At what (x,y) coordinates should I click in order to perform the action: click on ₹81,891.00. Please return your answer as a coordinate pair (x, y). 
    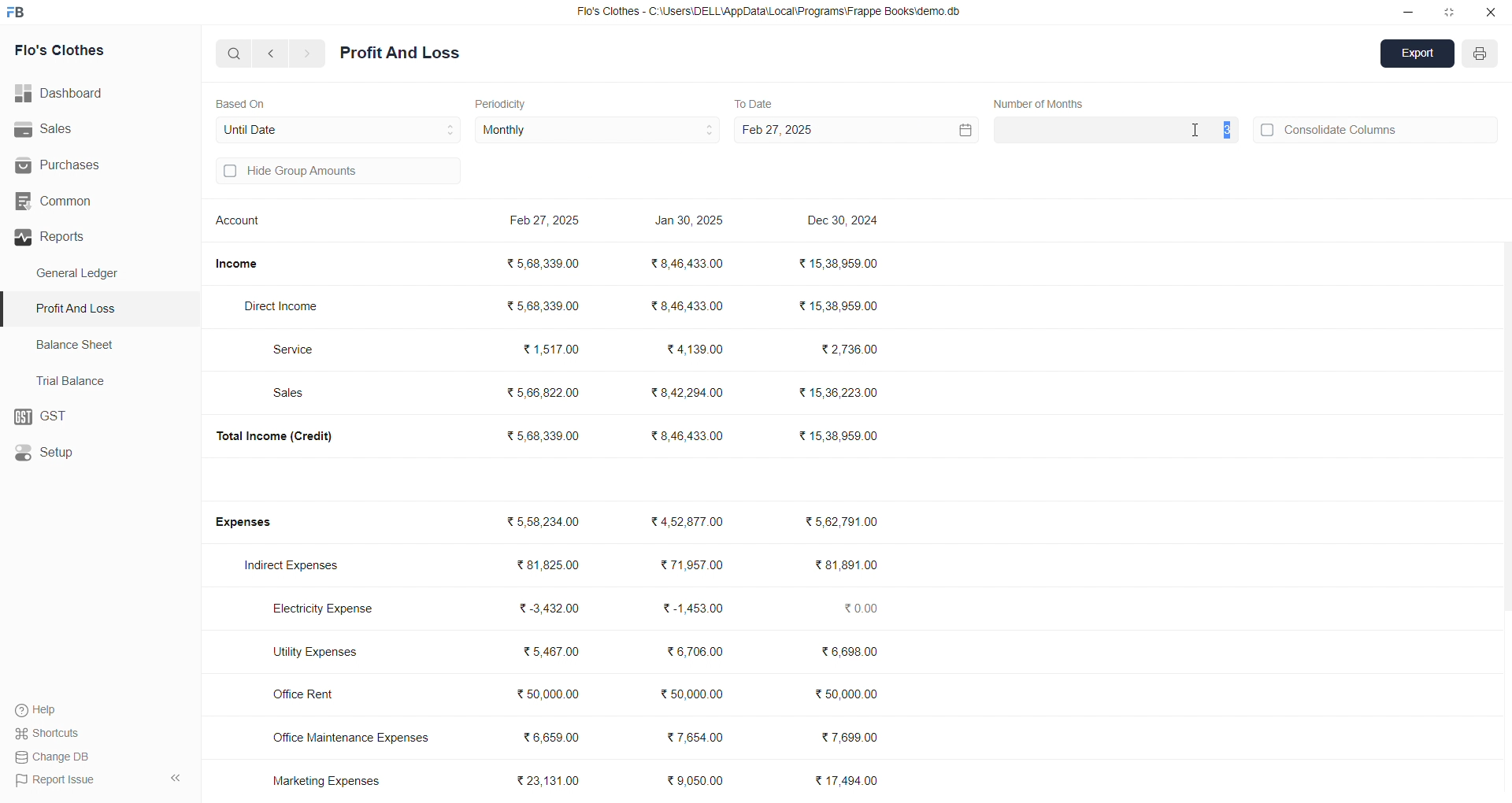
    Looking at the image, I should click on (847, 565).